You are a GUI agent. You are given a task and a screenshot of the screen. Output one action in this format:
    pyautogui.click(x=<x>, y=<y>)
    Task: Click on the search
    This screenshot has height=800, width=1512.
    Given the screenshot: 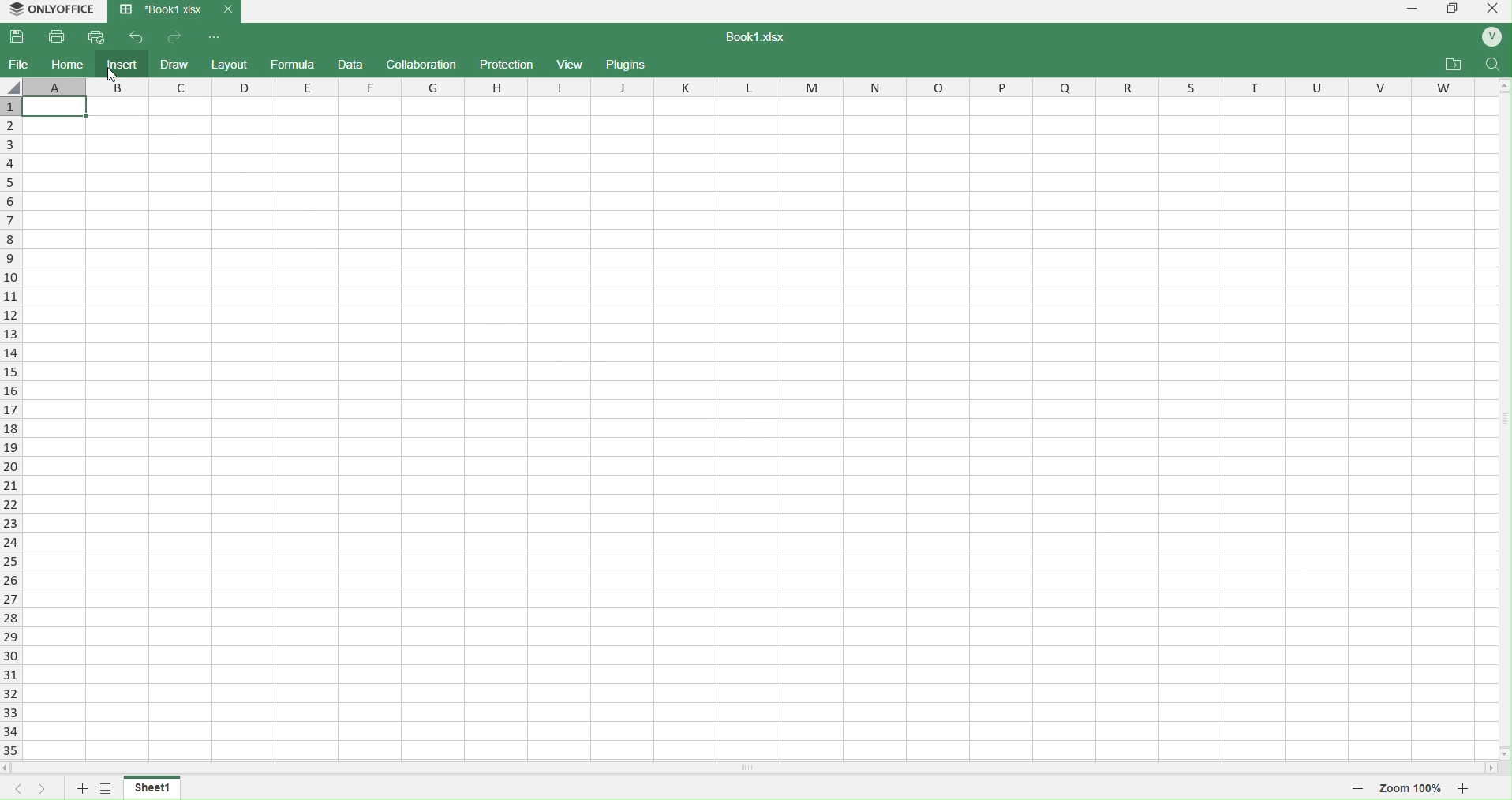 What is the action you would take?
    pyautogui.click(x=1494, y=64)
    